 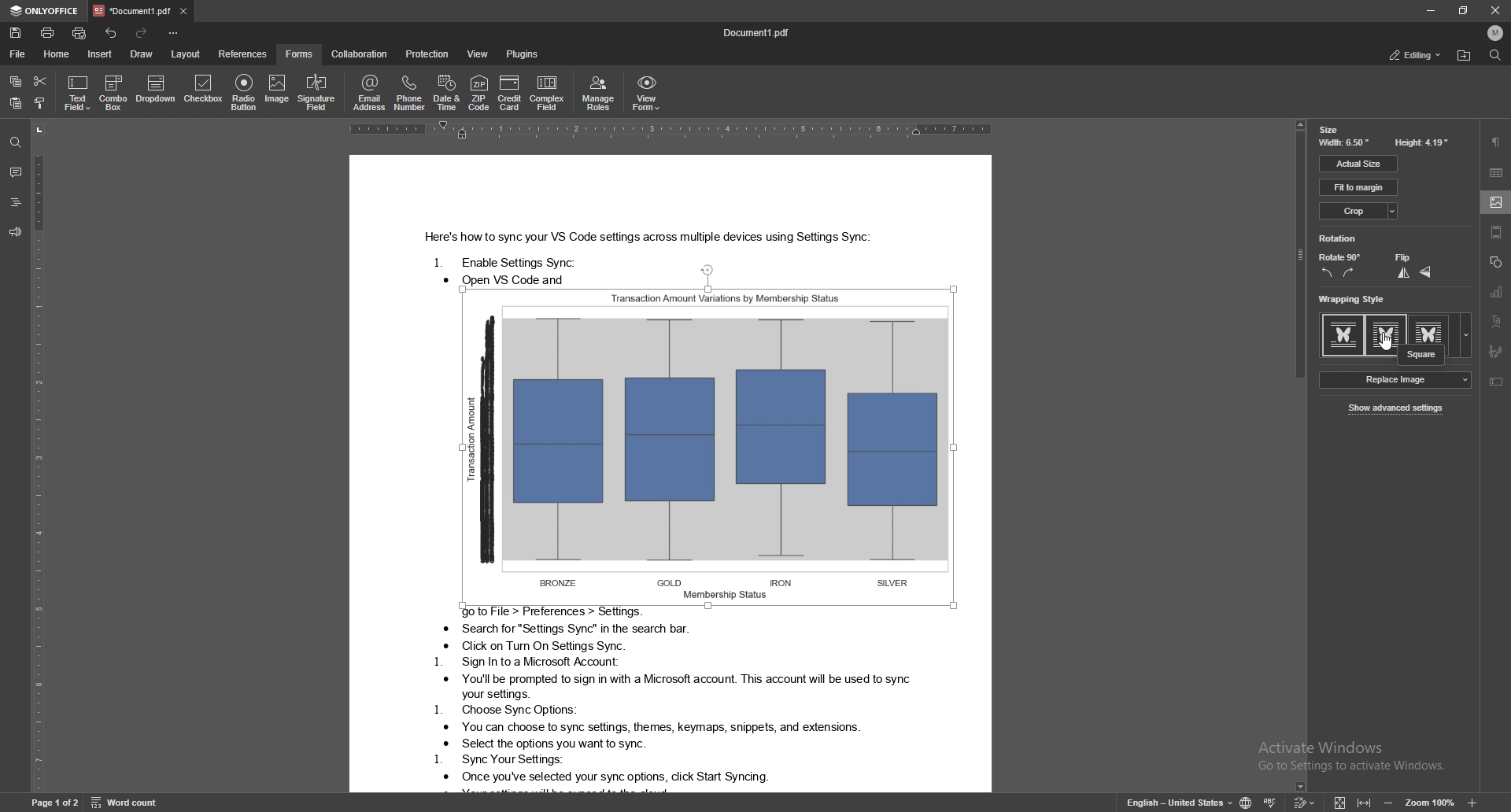 I want to click on Text, so click(x=666, y=699).